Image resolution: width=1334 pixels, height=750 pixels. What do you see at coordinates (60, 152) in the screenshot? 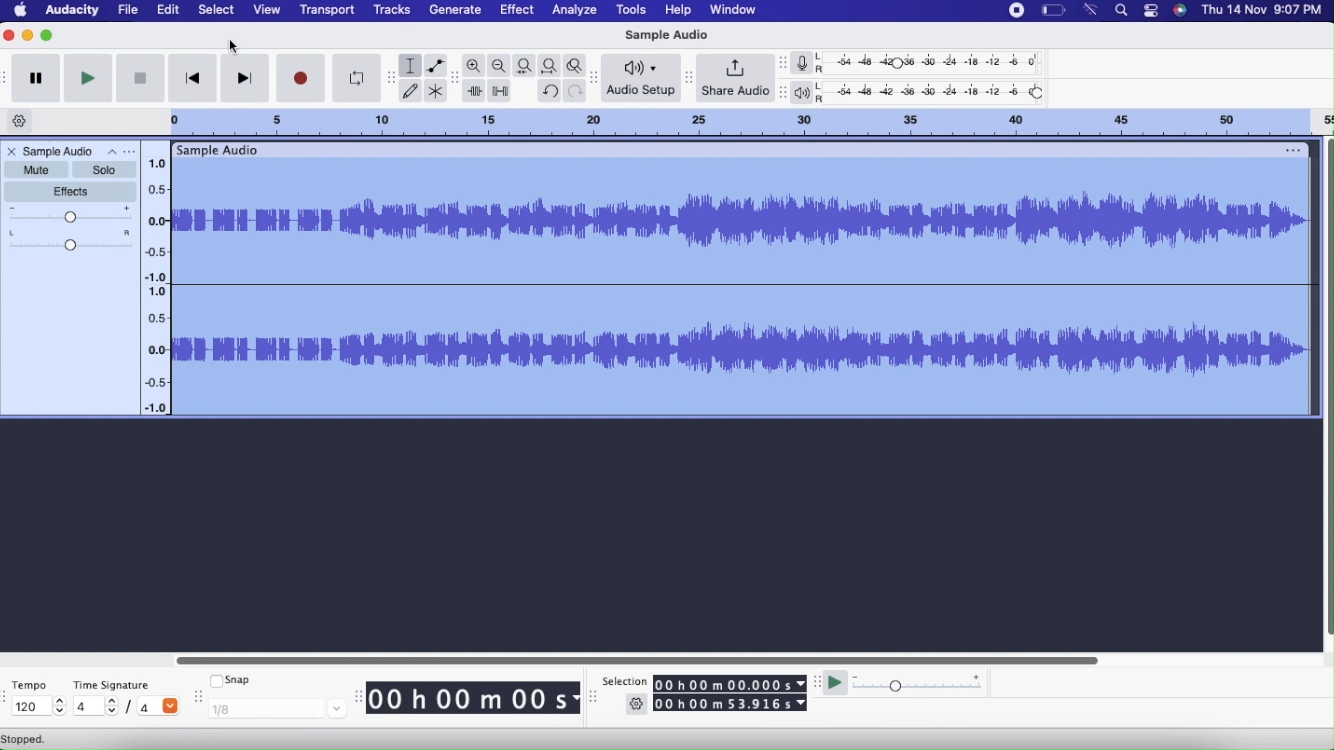
I see `Sample Audio` at bounding box center [60, 152].